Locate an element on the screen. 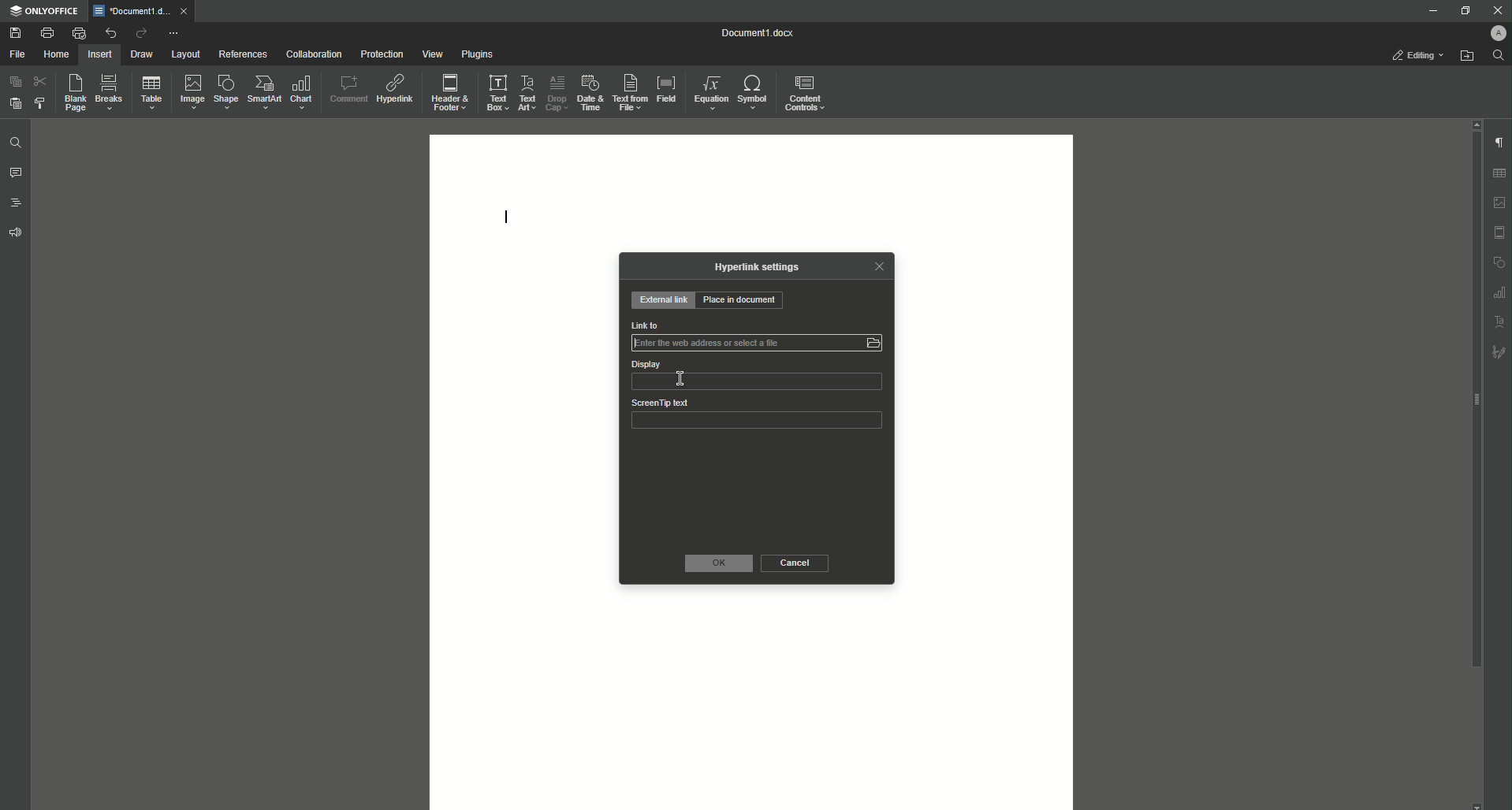 The width and height of the screenshot is (1512, 810). Plugins is located at coordinates (476, 53).